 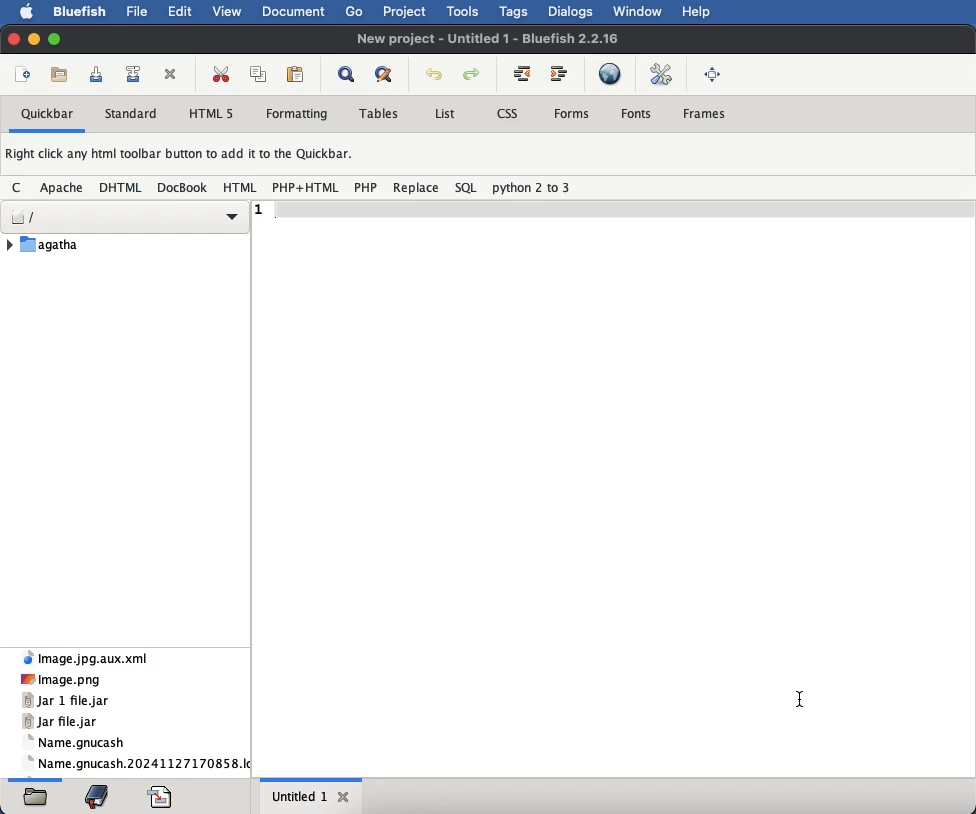 I want to click on show find bar, so click(x=347, y=76).